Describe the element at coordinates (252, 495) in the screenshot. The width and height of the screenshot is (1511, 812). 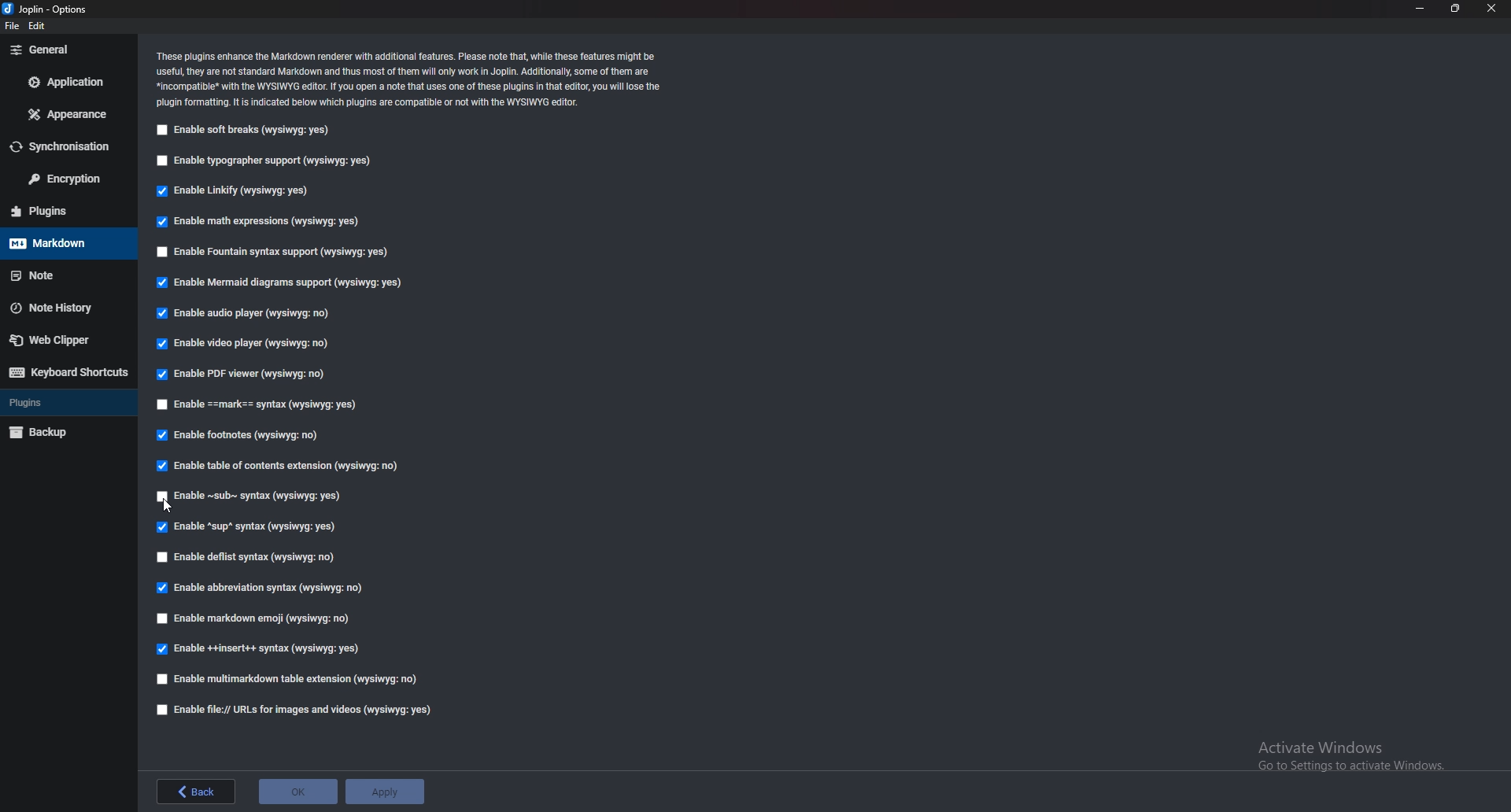
I see `Enable Sub syntax` at that location.